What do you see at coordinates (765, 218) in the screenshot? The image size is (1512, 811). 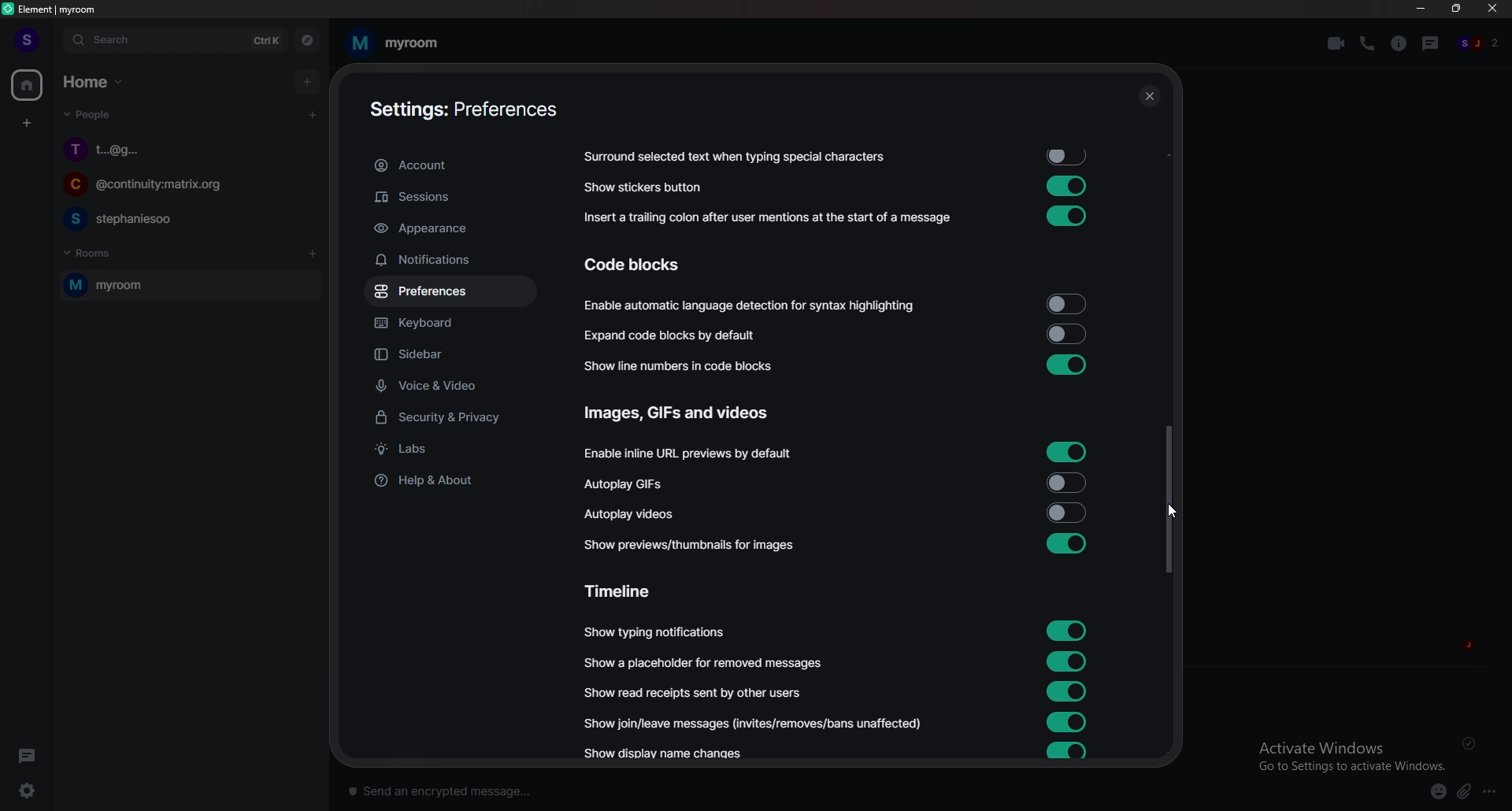 I see `insert and trailing colon` at bounding box center [765, 218].